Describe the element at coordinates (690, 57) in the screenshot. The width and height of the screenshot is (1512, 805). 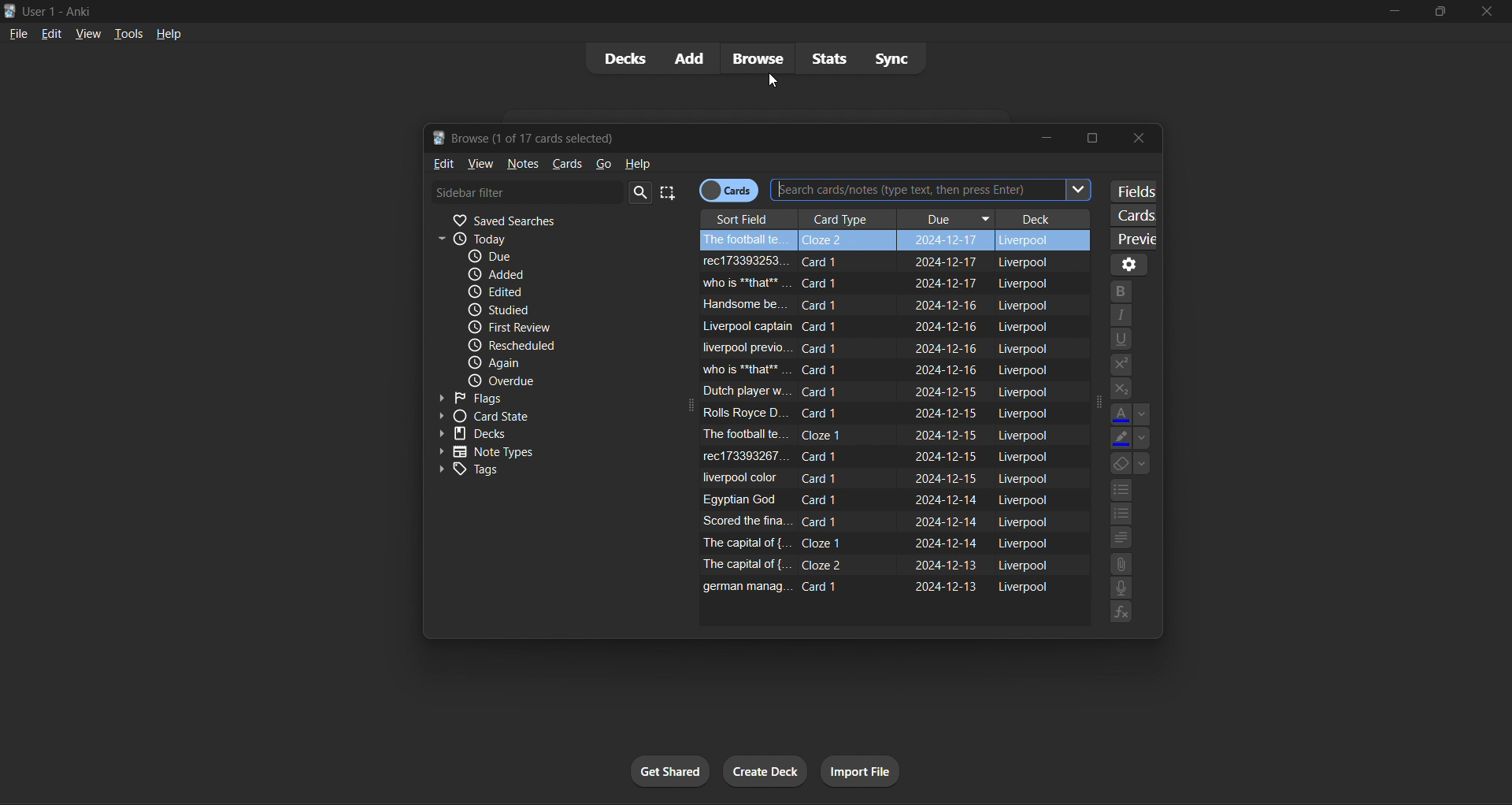
I see `add` at that location.